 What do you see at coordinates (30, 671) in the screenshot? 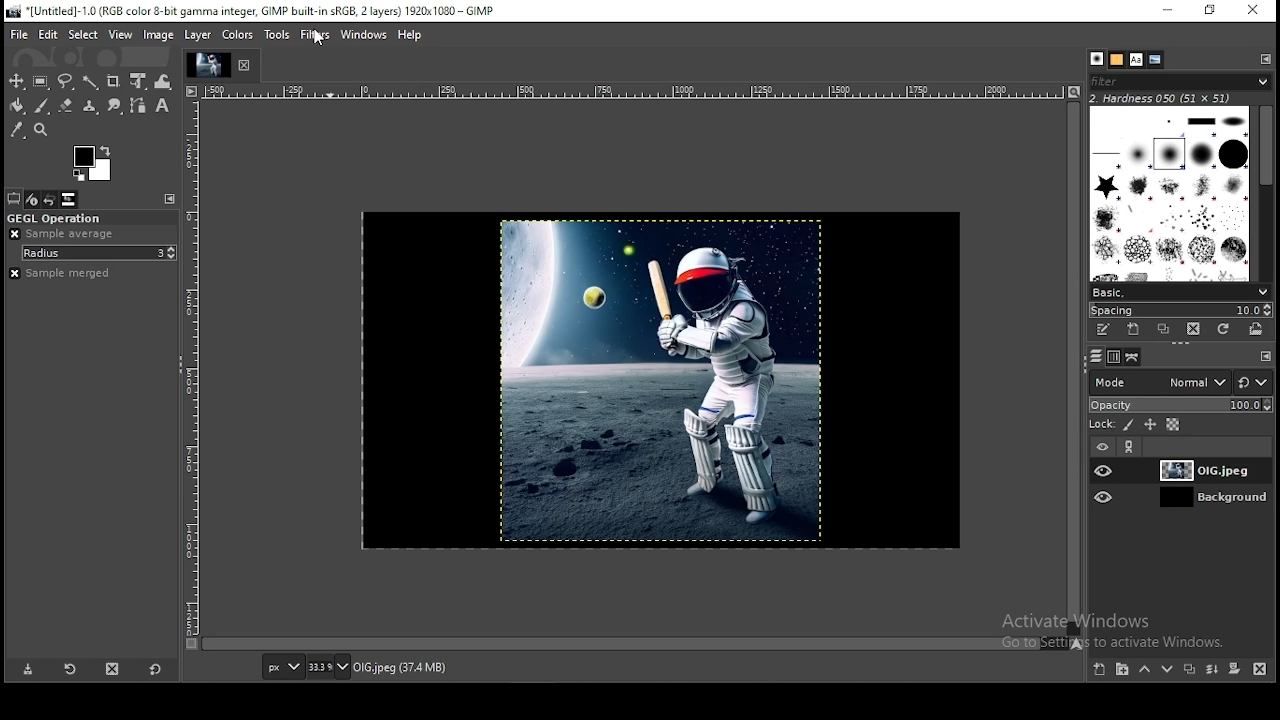
I see `save tool preset` at bounding box center [30, 671].